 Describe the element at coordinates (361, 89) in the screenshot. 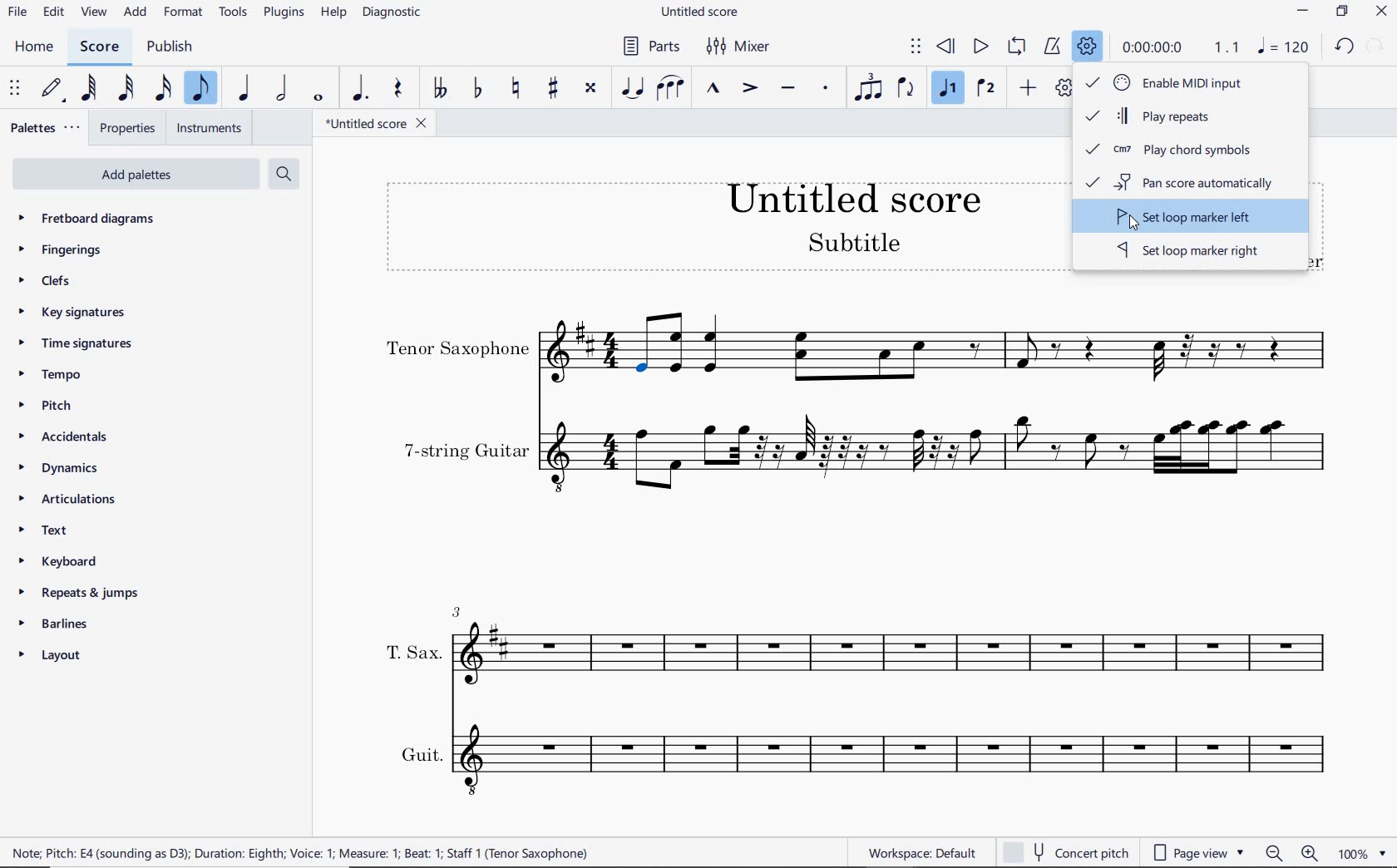

I see `AUGMENTATION DOT` at that location.